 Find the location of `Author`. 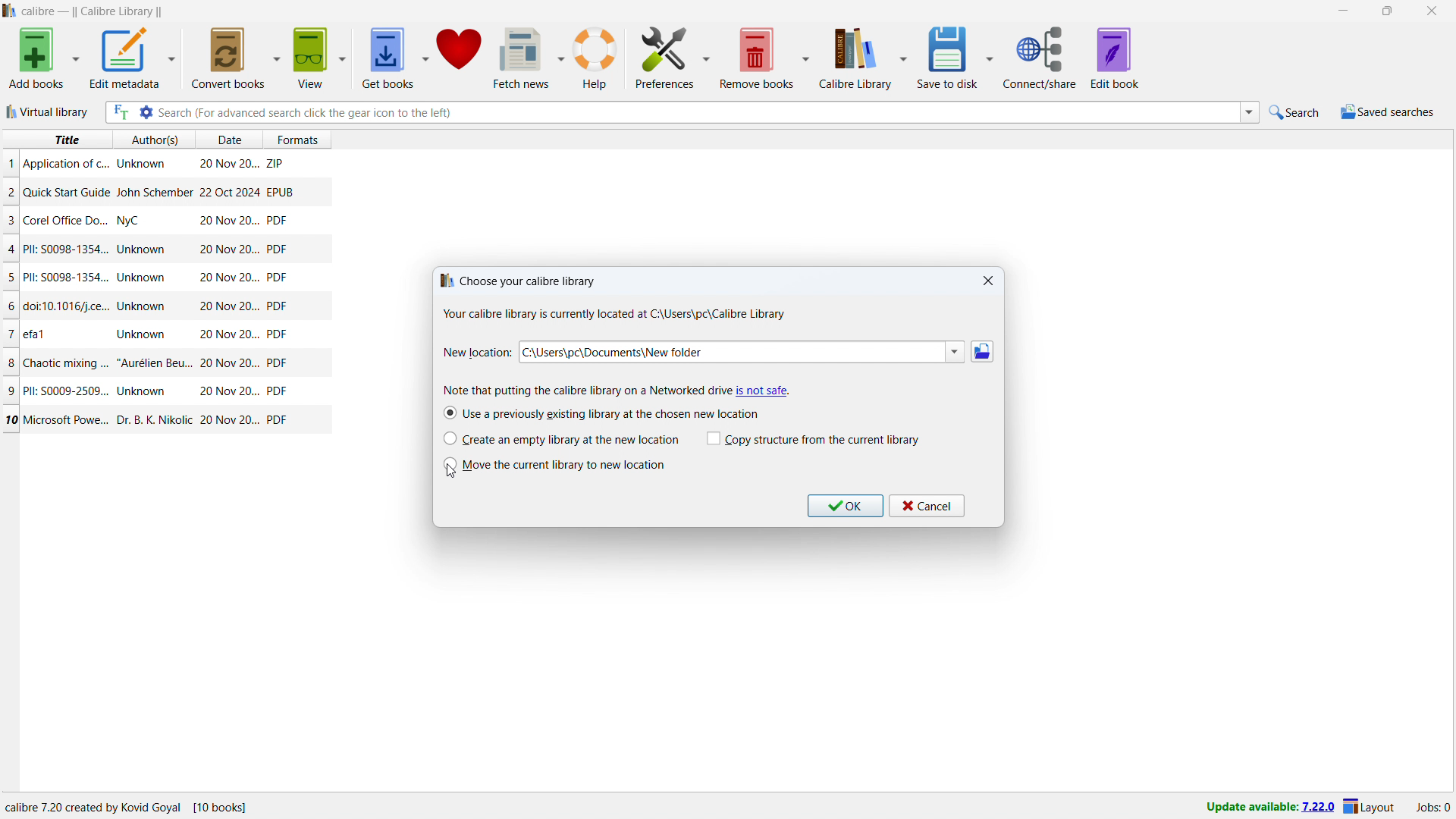

Author is located at coordinates (140, 165).